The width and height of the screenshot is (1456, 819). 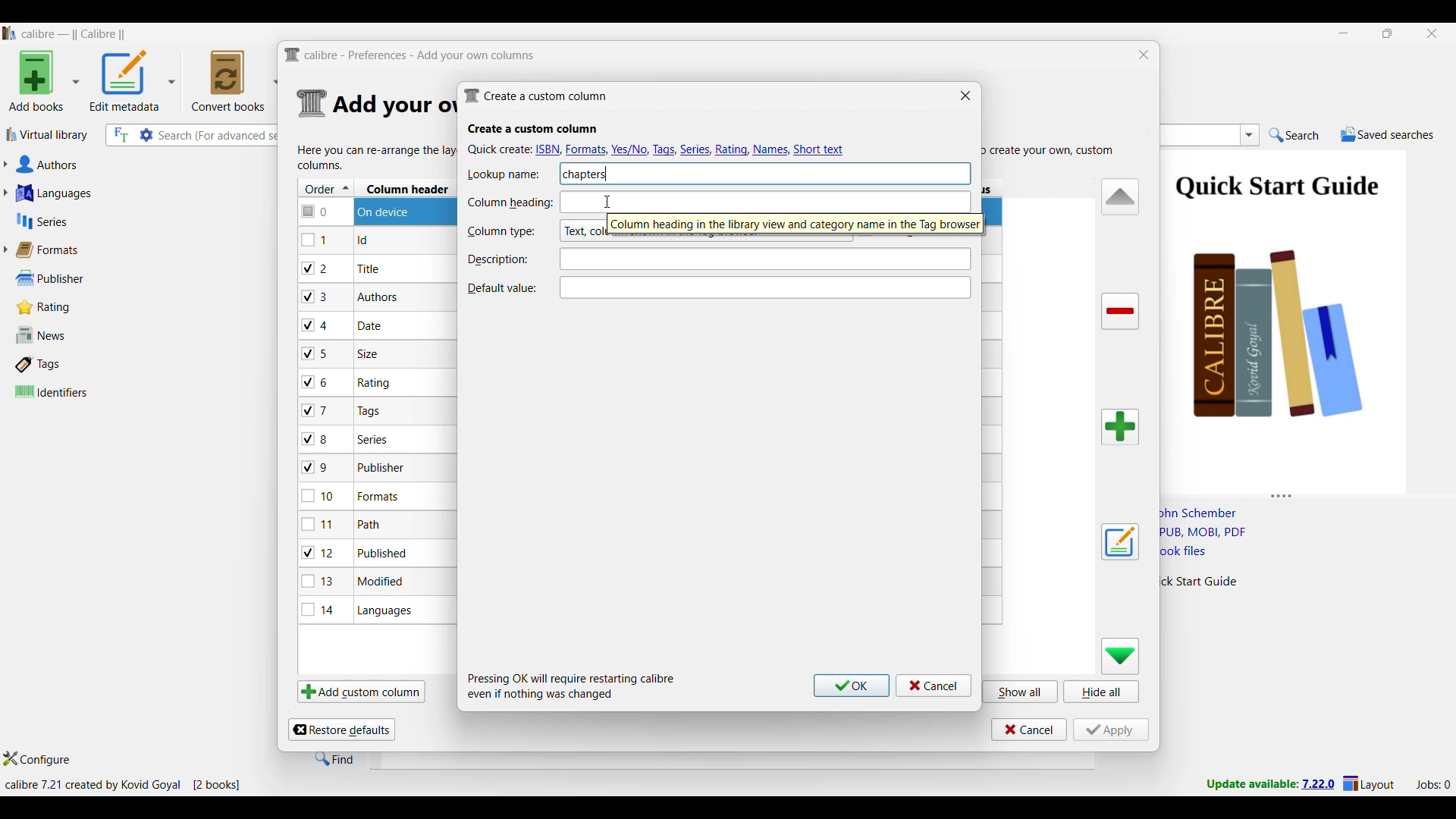 I want to click on Move row down, so click(x=1121, y=656).